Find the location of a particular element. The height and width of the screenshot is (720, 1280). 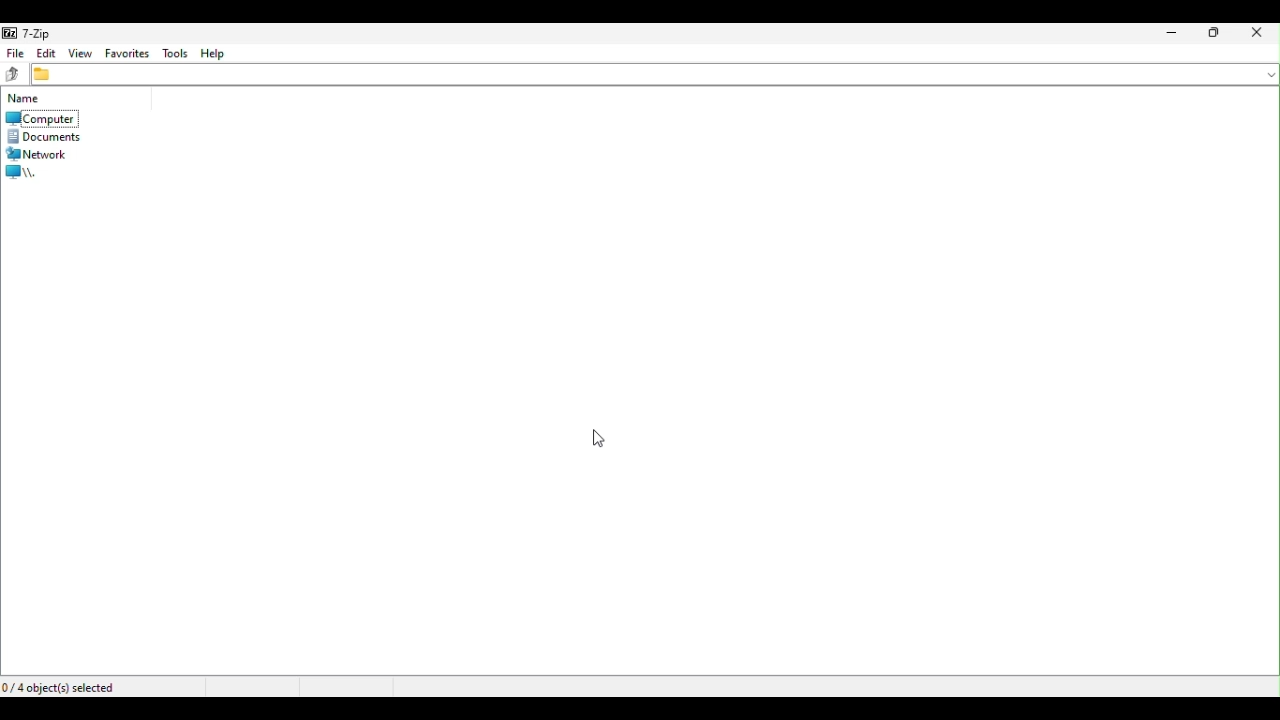

help is located at coordinates (221, 52).